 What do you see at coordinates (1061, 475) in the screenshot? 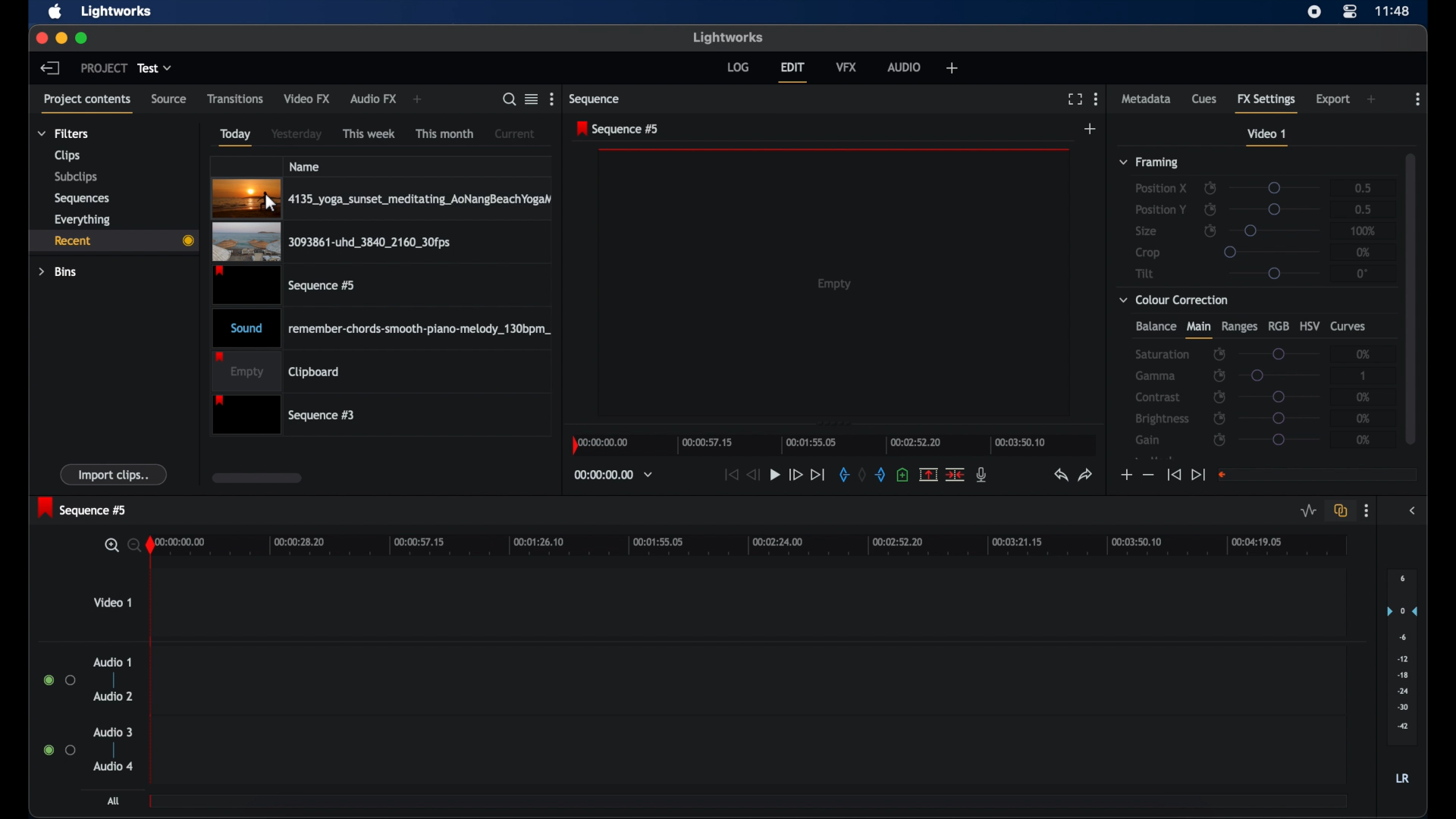
I see `undo` at bounding box center [1061, 475].